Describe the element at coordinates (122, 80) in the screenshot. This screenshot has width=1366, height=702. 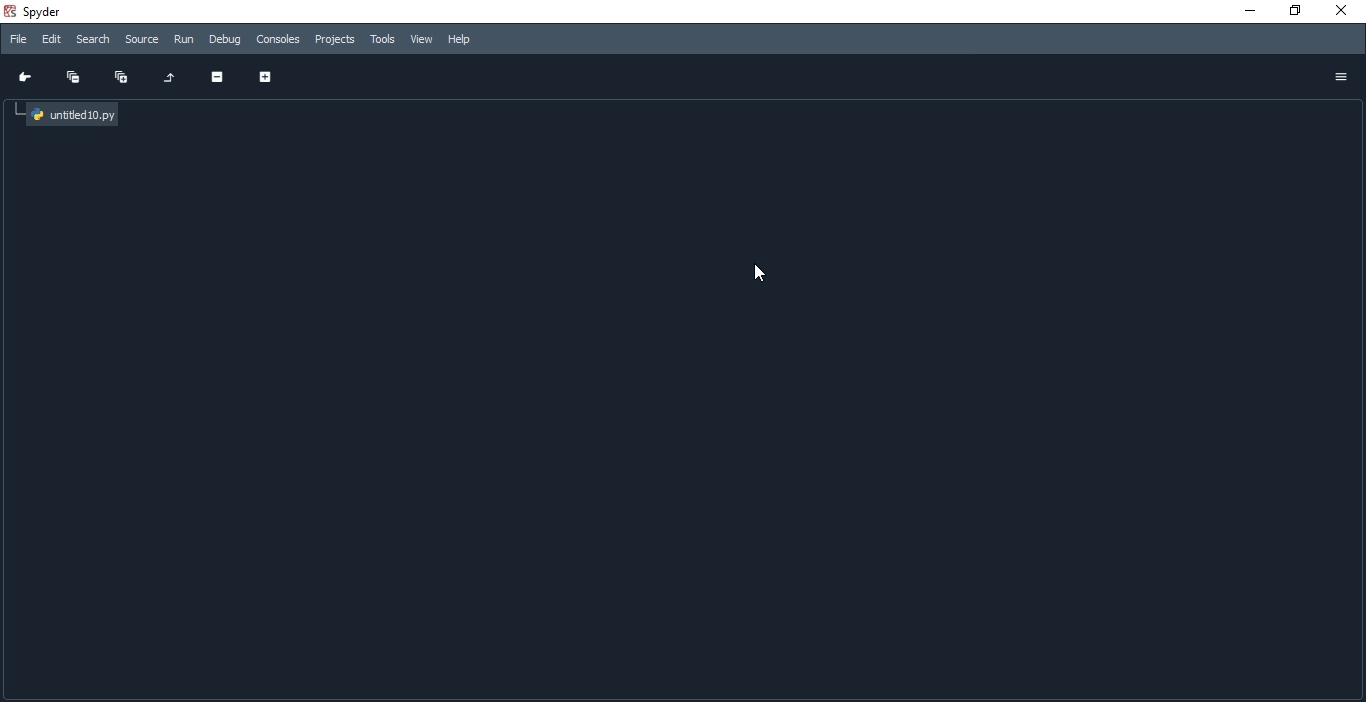
I see `Expand all` at that location.